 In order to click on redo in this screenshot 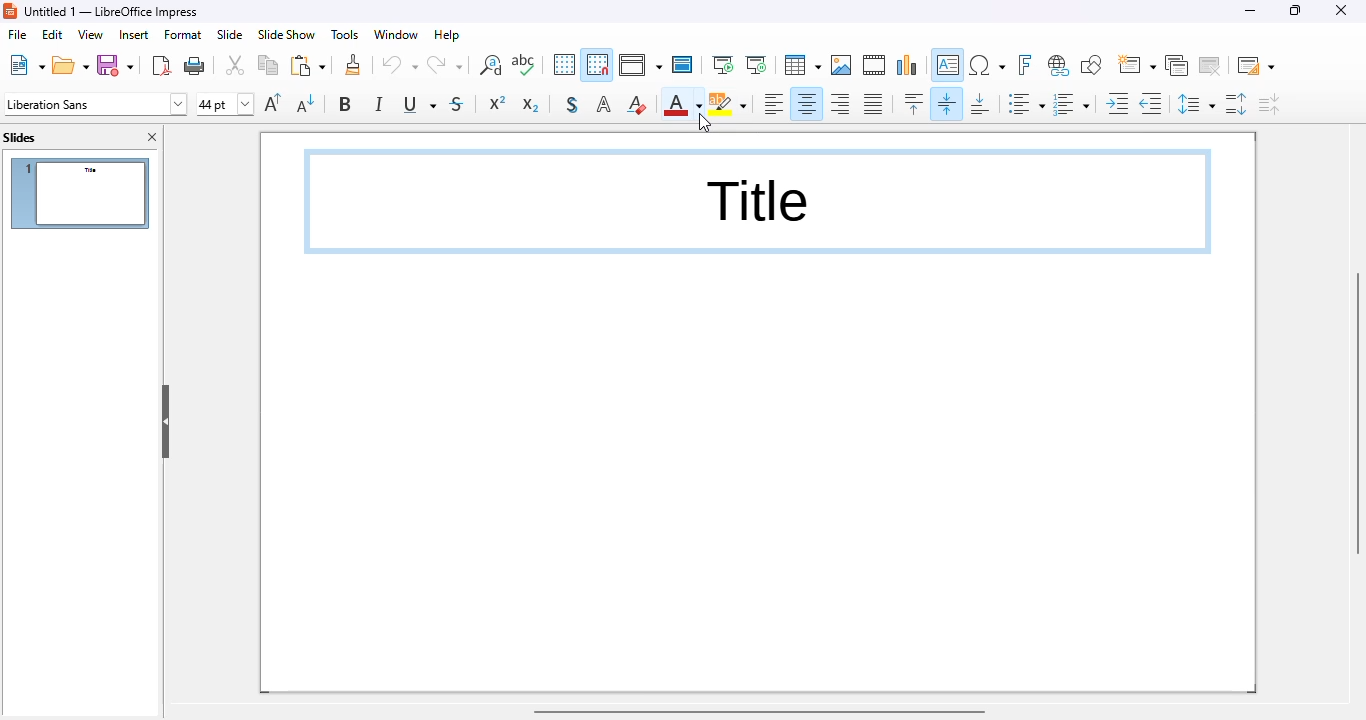, I will do `click(445, 64)`.